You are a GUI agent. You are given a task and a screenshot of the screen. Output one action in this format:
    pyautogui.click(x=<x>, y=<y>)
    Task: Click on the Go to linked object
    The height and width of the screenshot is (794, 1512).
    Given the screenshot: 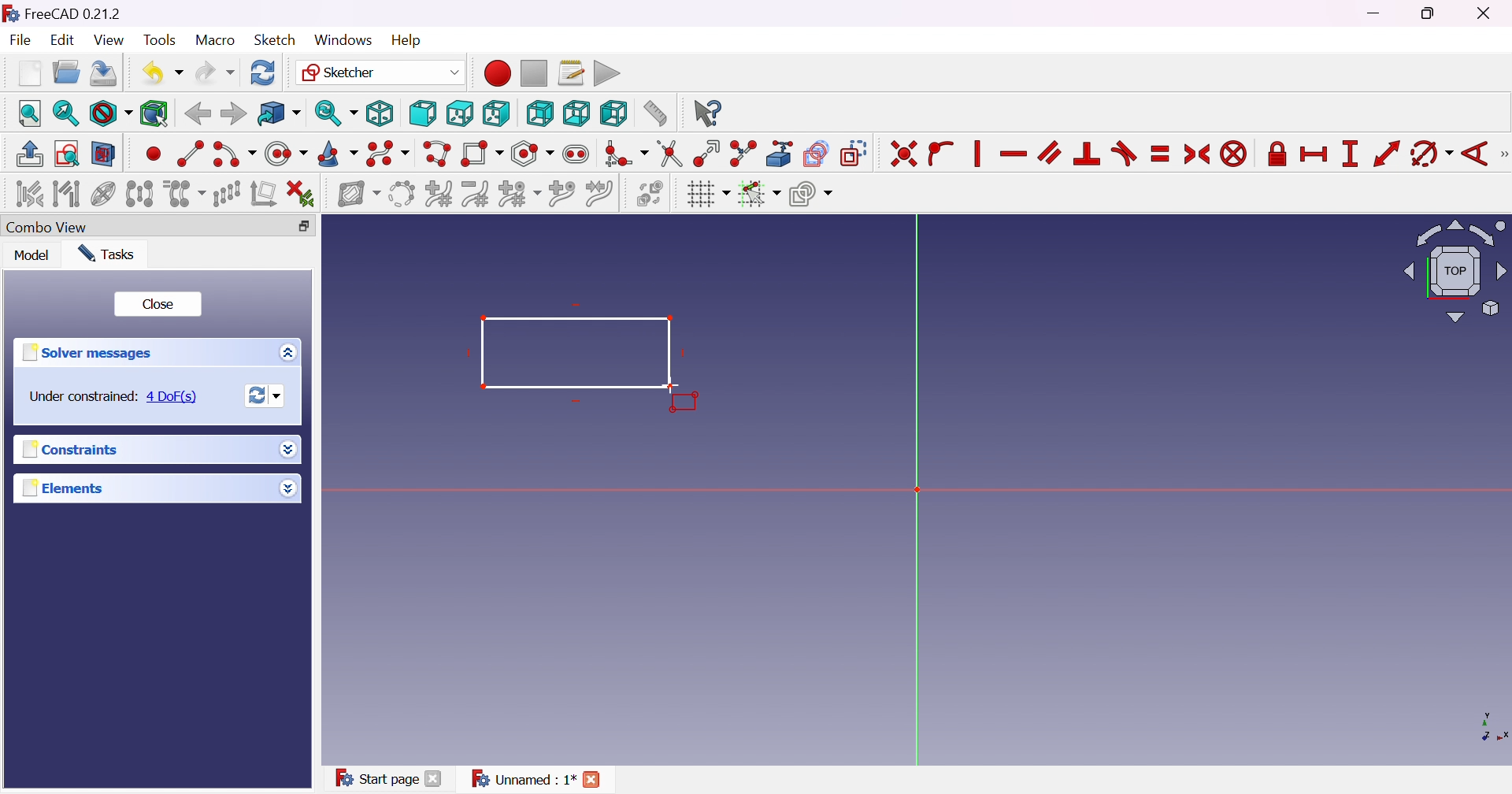 What is the action you would take?
    pyautogui.click(x=278, y=113)
    